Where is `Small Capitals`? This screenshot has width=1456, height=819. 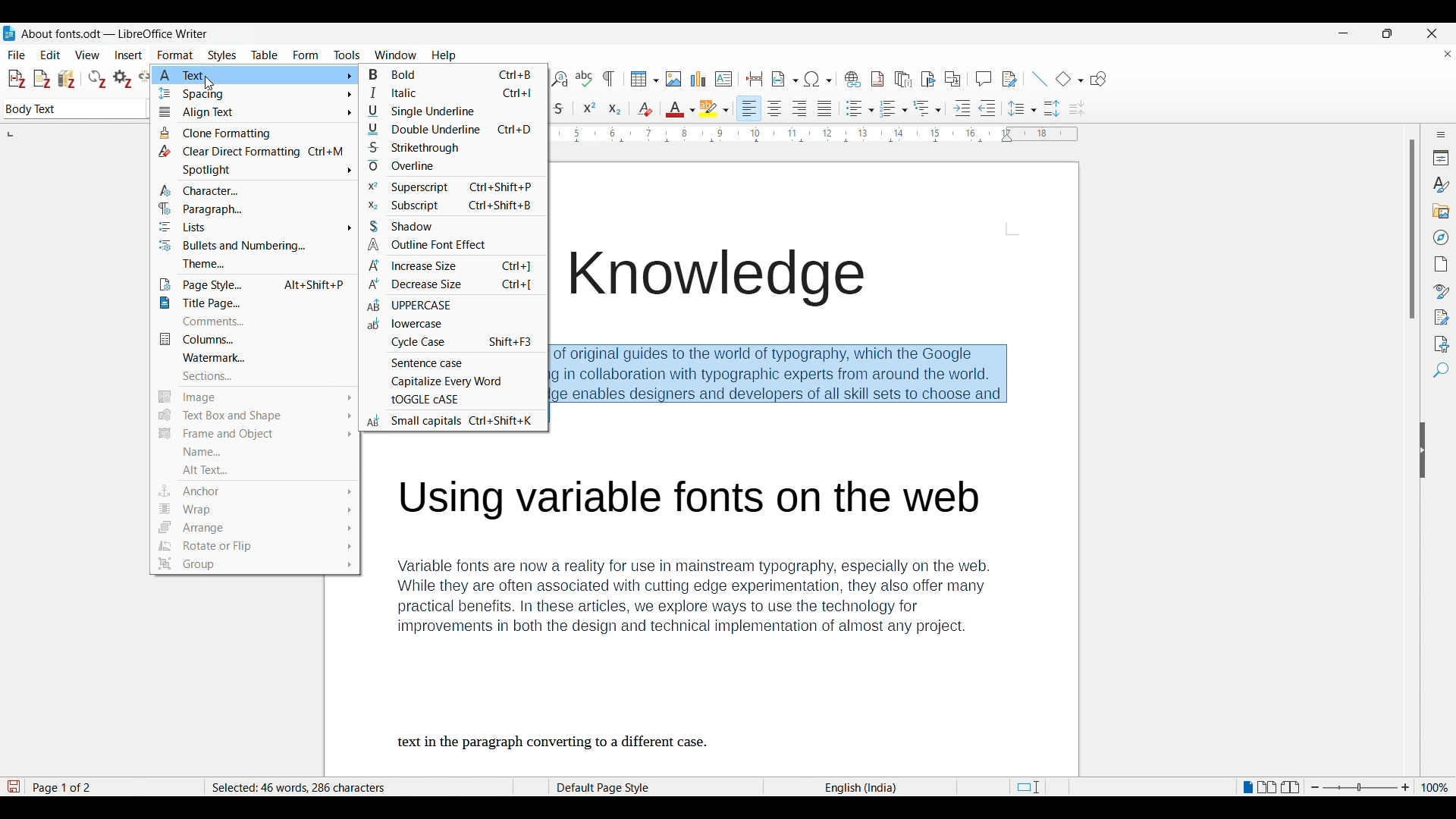 Small Capitals is located at coordinates (458, 419).